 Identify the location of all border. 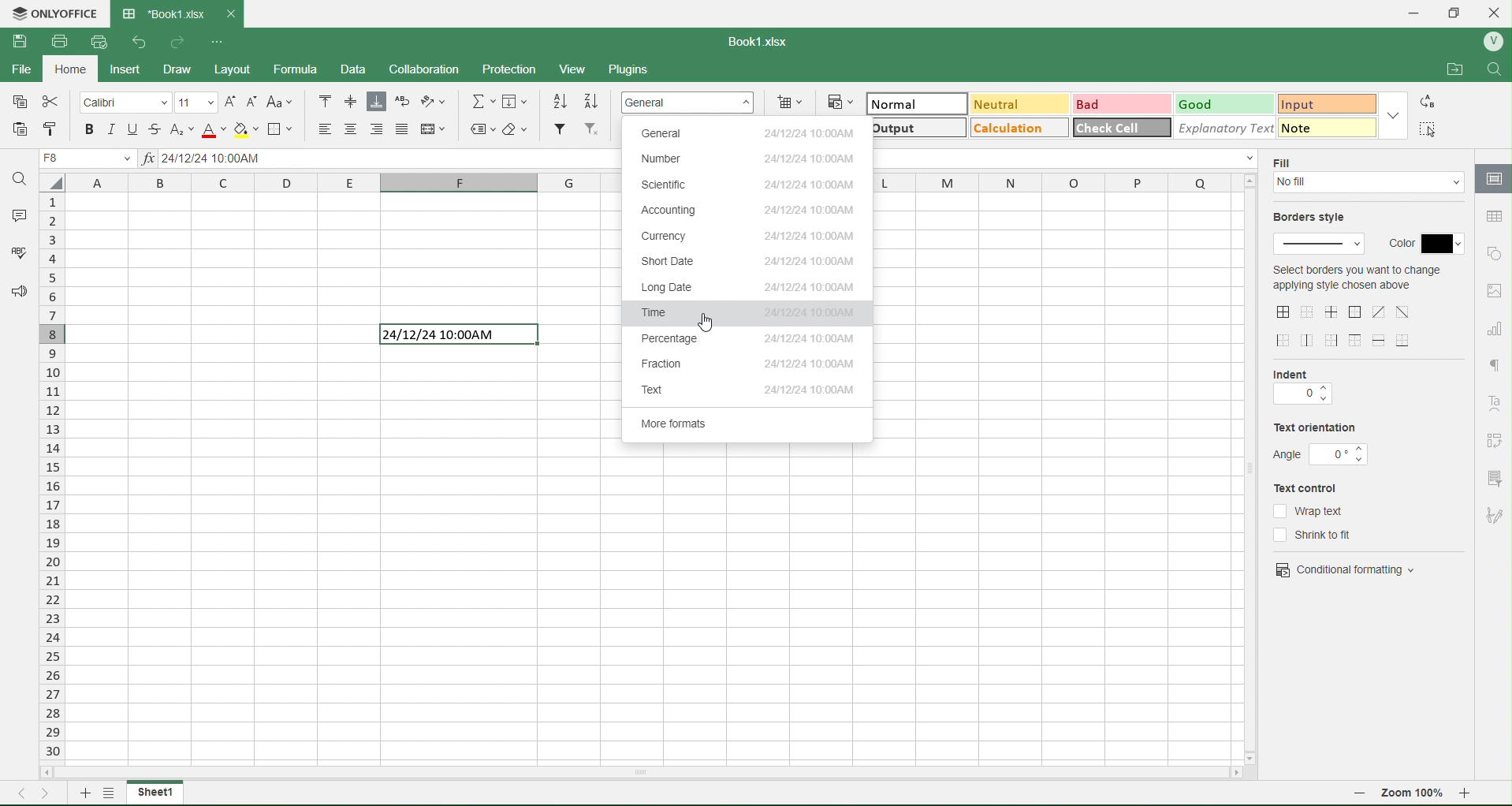
(1284, 312).